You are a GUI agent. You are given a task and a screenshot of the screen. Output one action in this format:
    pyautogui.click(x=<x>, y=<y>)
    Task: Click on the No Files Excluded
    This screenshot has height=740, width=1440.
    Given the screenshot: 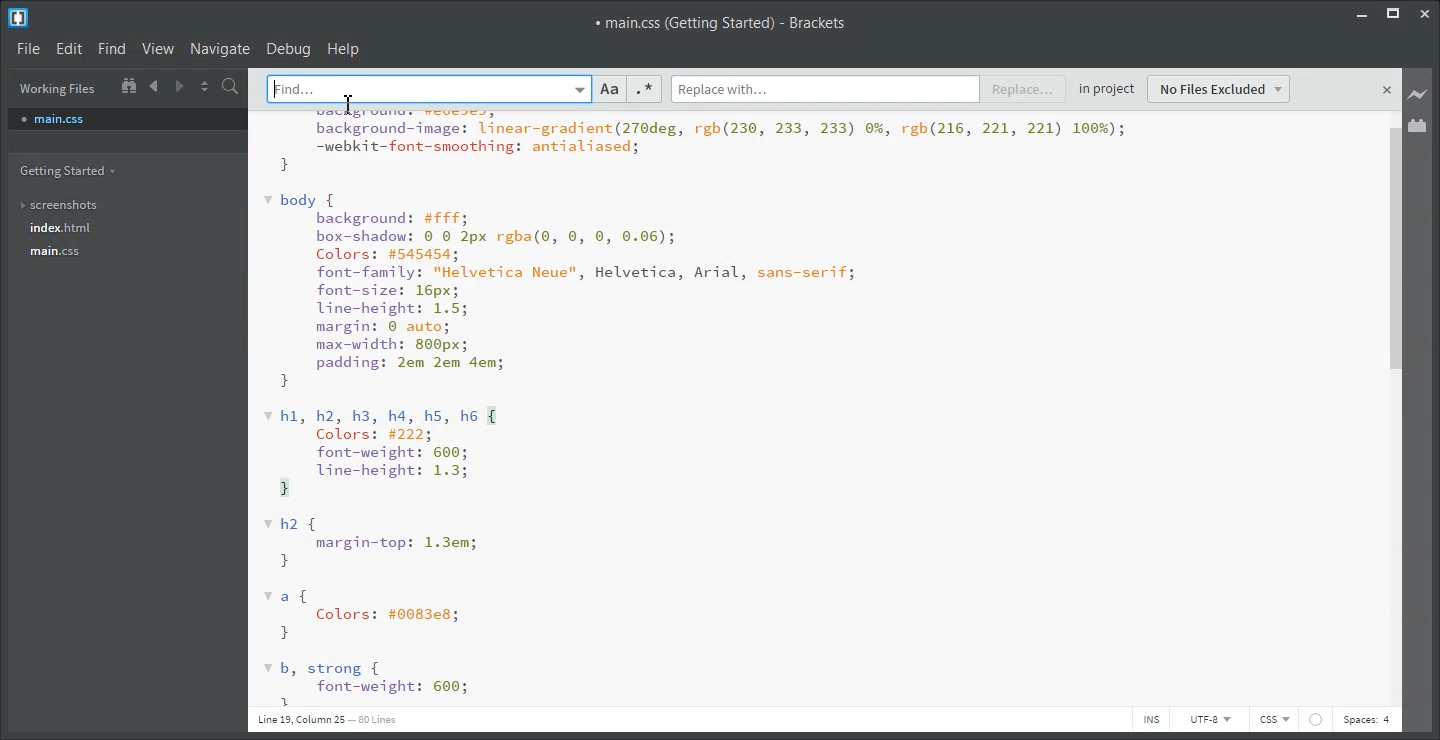 What is the action you would take?
    pyautogui.click(x=1220, y=89)
    